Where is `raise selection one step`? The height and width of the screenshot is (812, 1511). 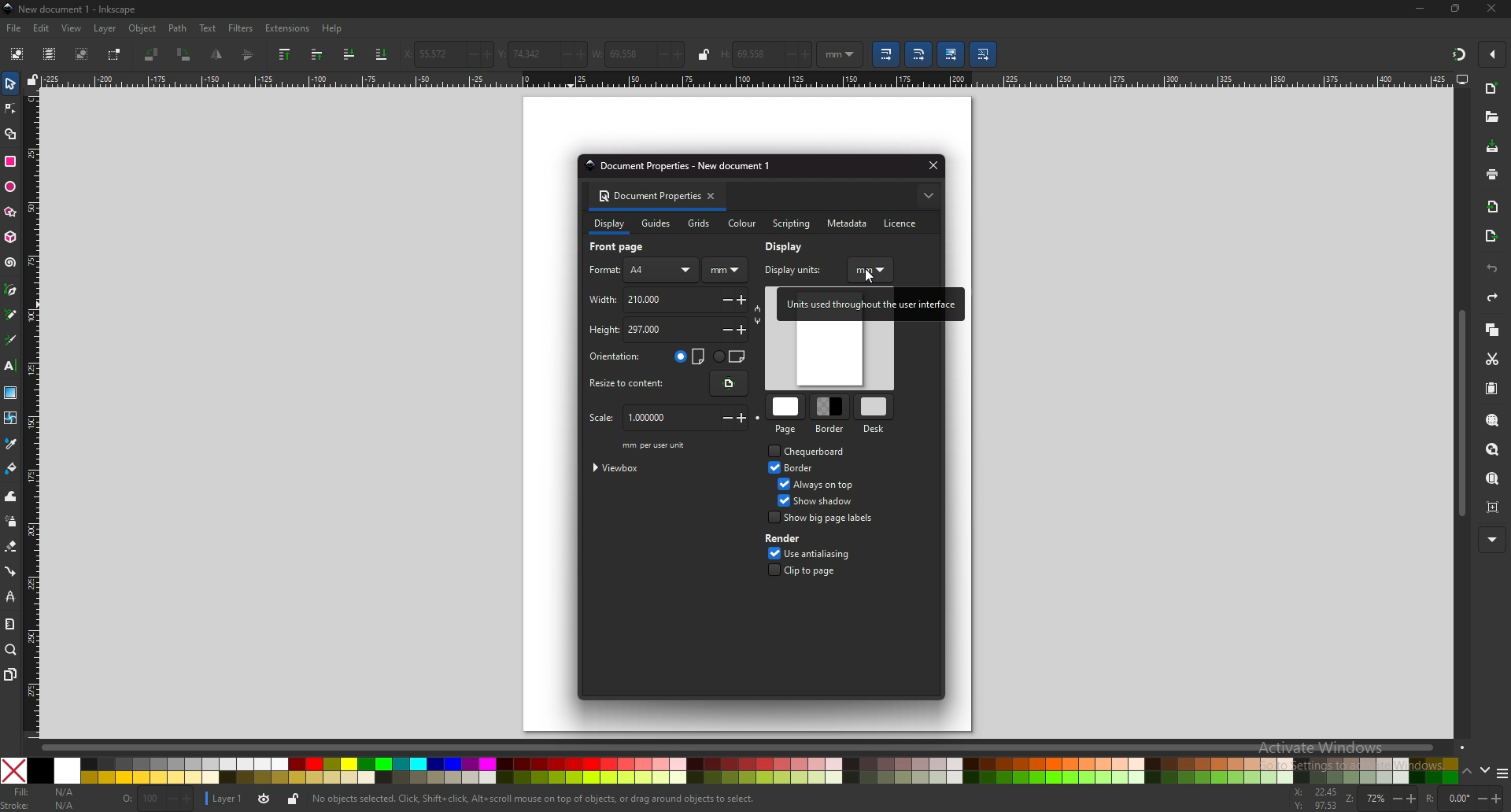 raise selection one step is located at coordinates (319, 55).